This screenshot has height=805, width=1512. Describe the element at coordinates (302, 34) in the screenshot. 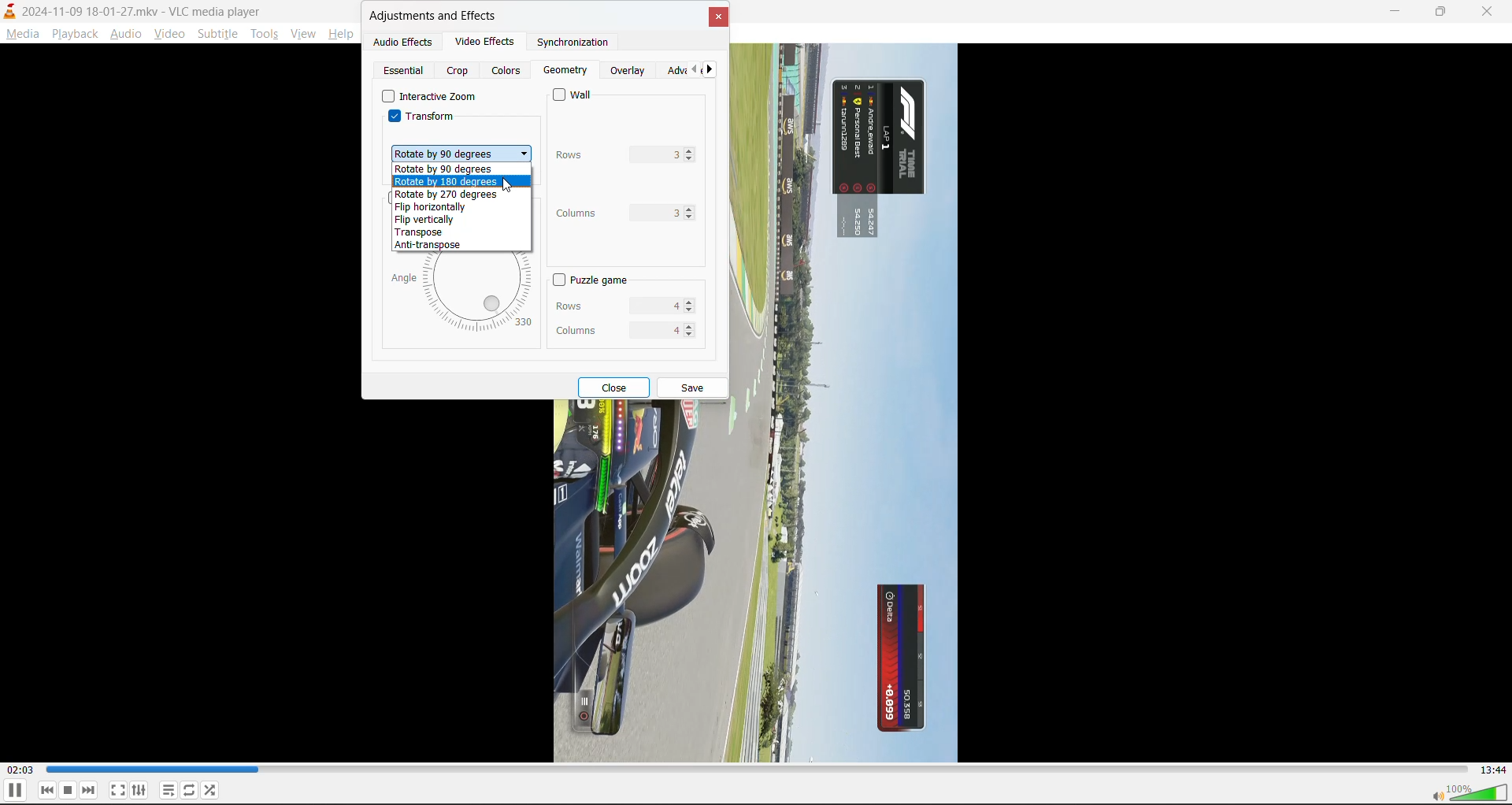

I see `view` at that location.